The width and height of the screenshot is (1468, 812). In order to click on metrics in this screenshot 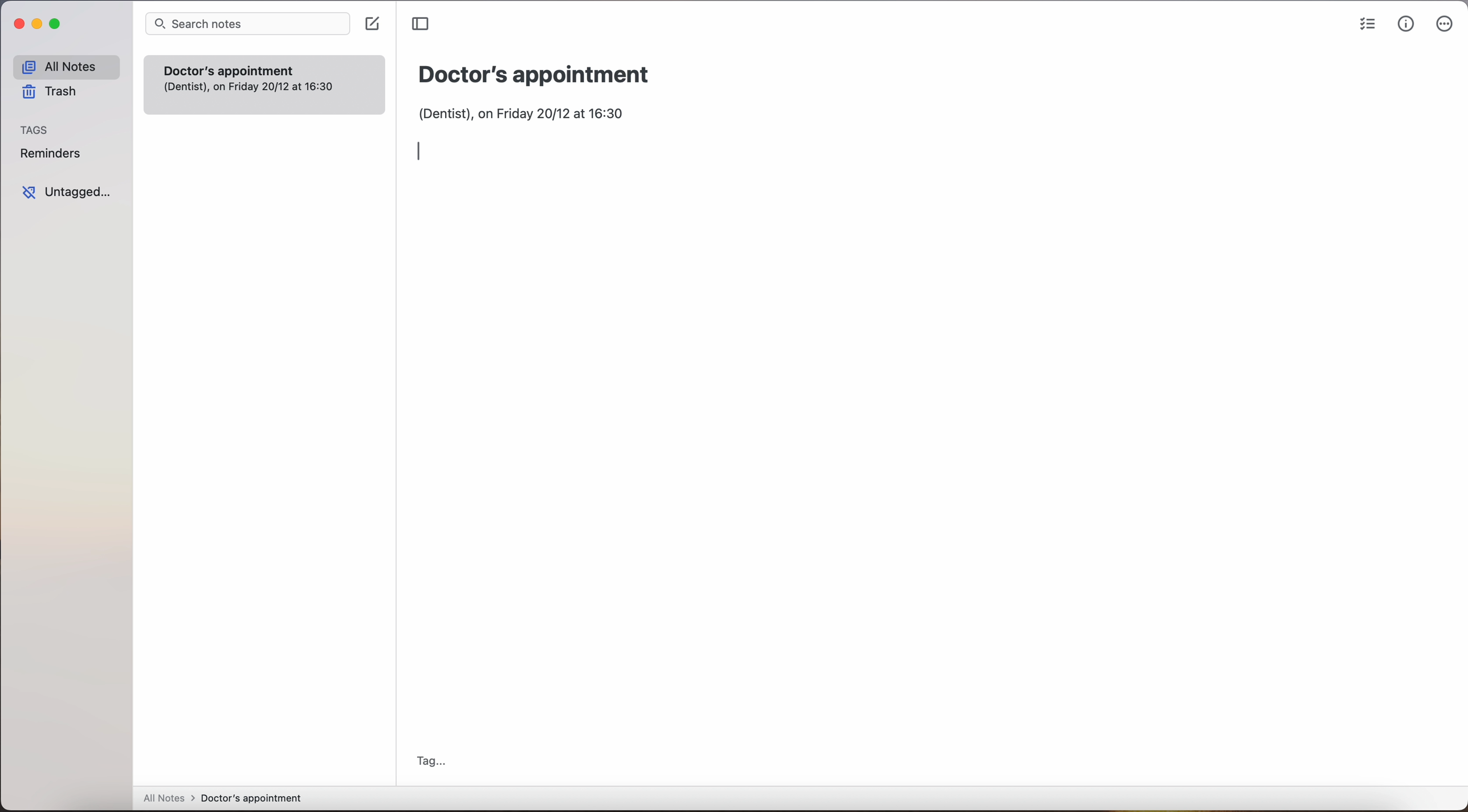, I will do `click(1405, 24)`.